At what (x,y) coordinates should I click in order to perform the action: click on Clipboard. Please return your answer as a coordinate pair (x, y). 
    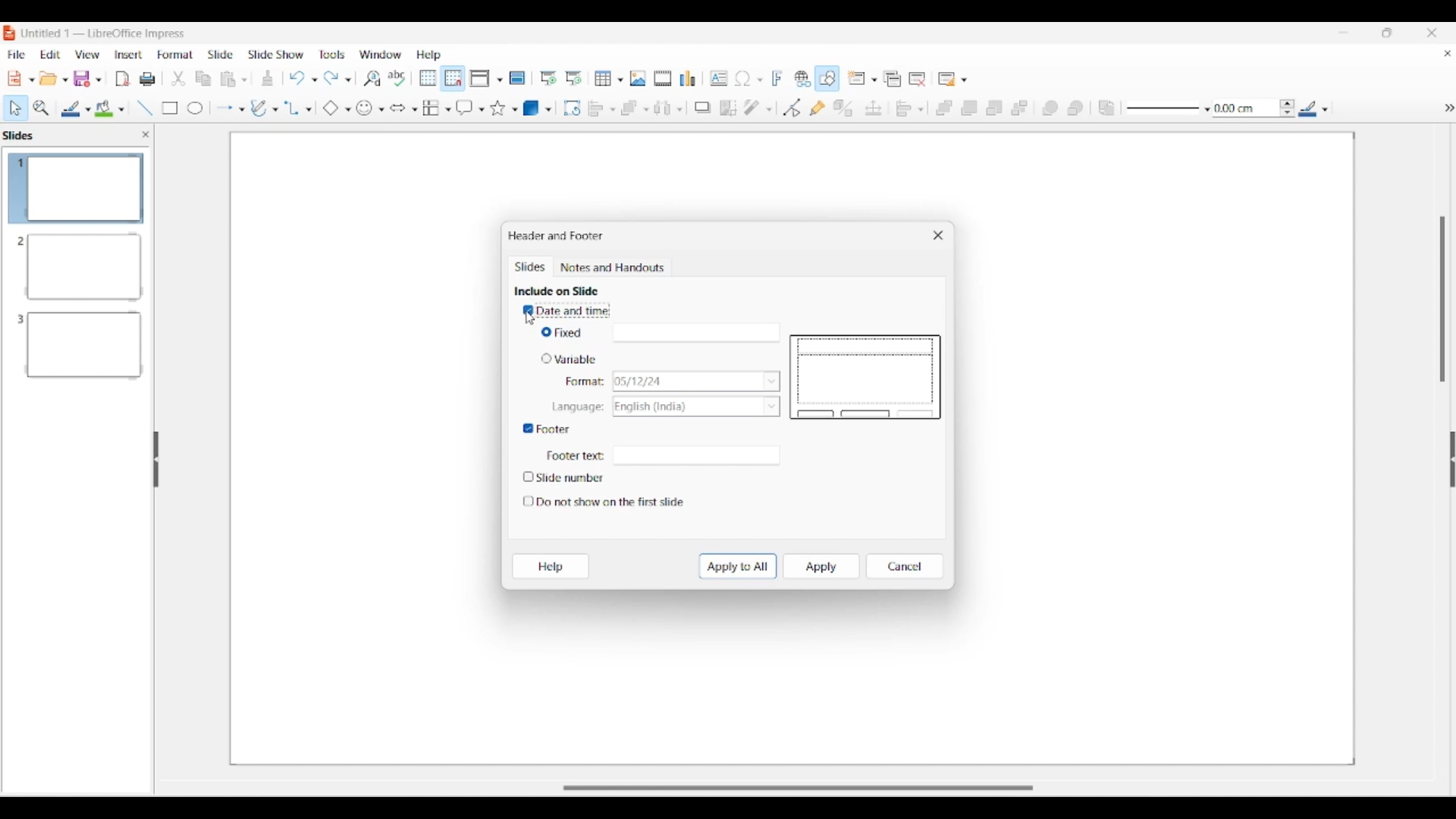
    Looking at the image, I should click on (229, 79).